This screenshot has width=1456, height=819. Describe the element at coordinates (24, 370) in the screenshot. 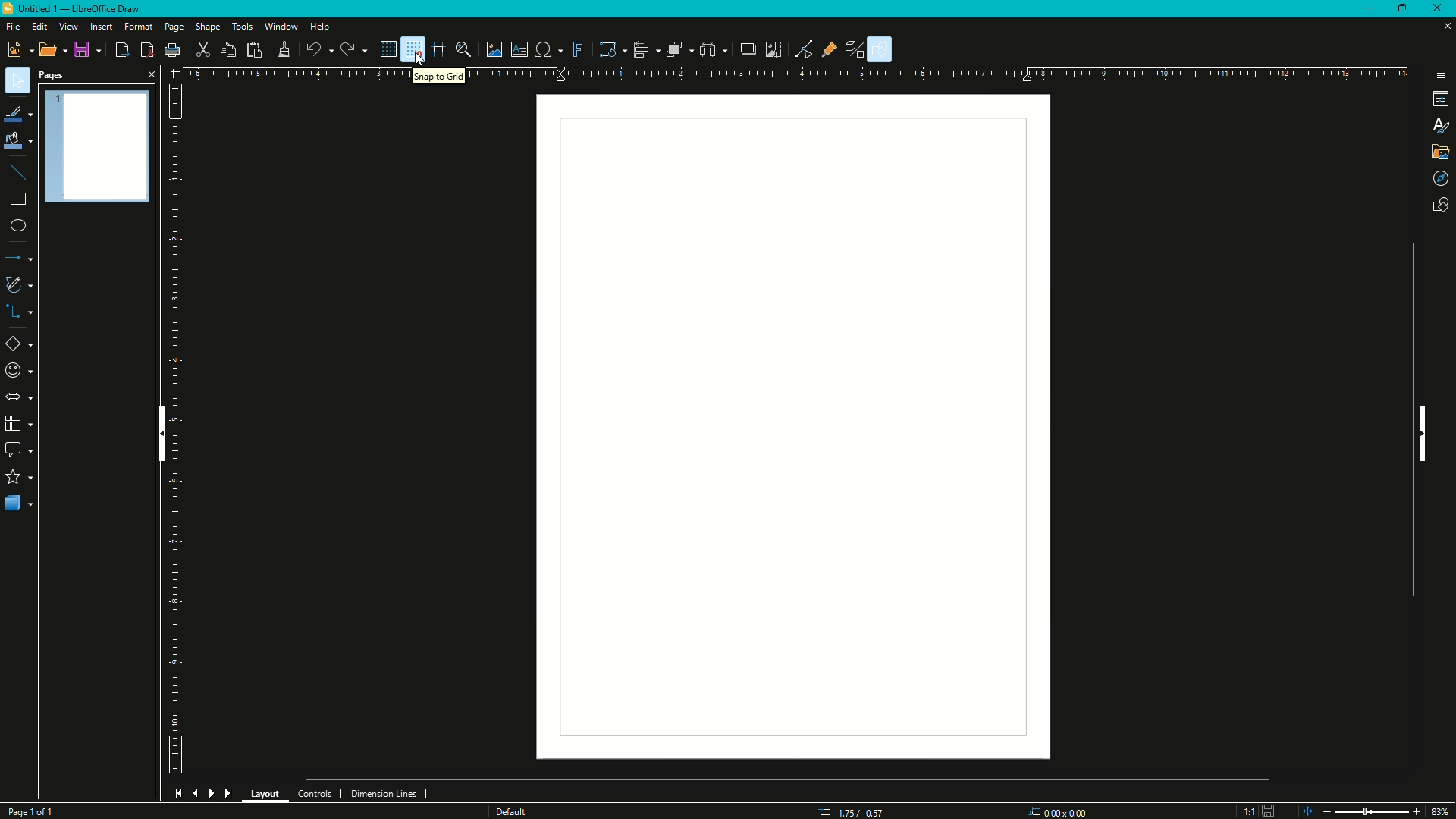

I see `Symbol shapes` at that location.